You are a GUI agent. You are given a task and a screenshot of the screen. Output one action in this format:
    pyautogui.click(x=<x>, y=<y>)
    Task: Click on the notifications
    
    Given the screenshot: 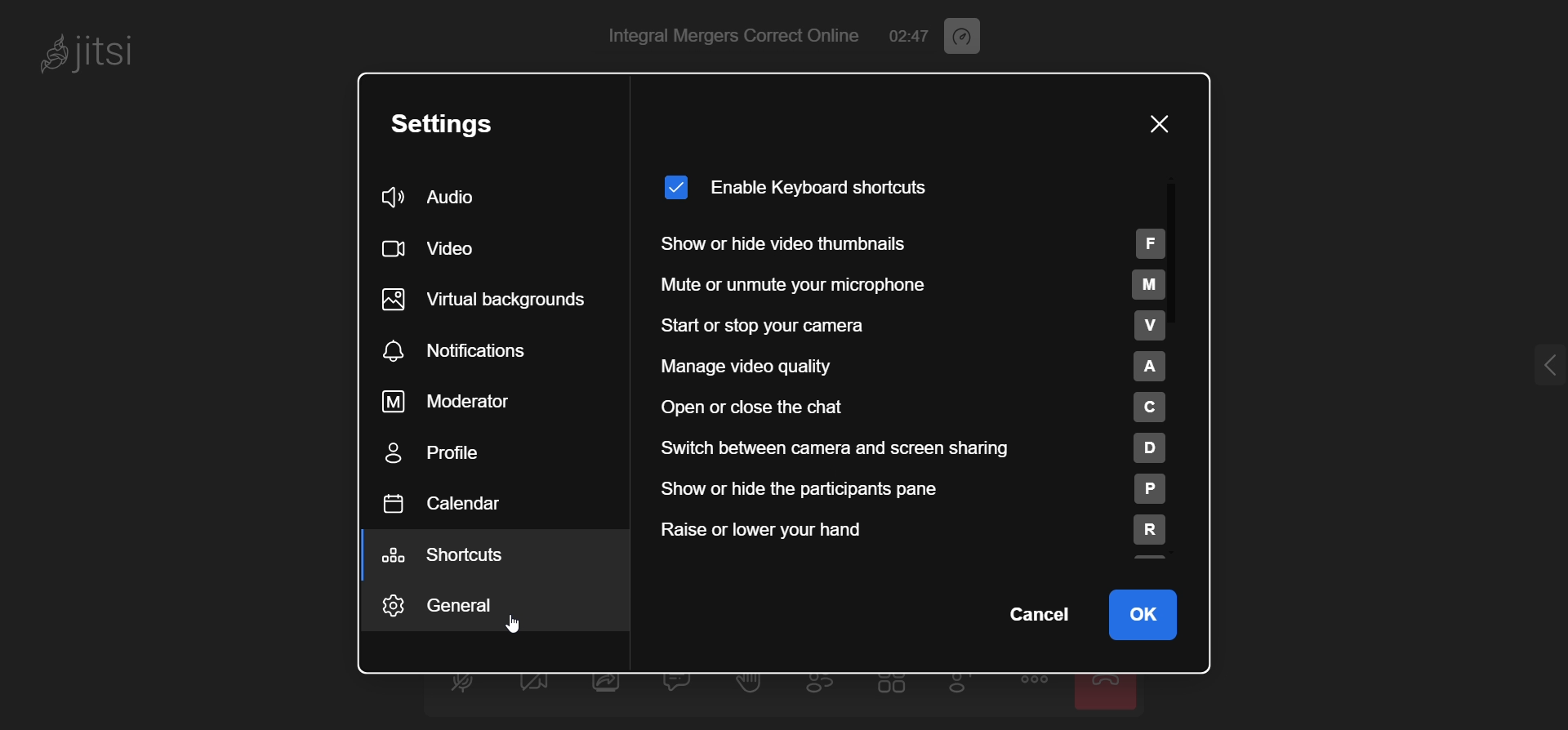 What is the action you would take?
    pyautogui.click(x=465, y=351)
    